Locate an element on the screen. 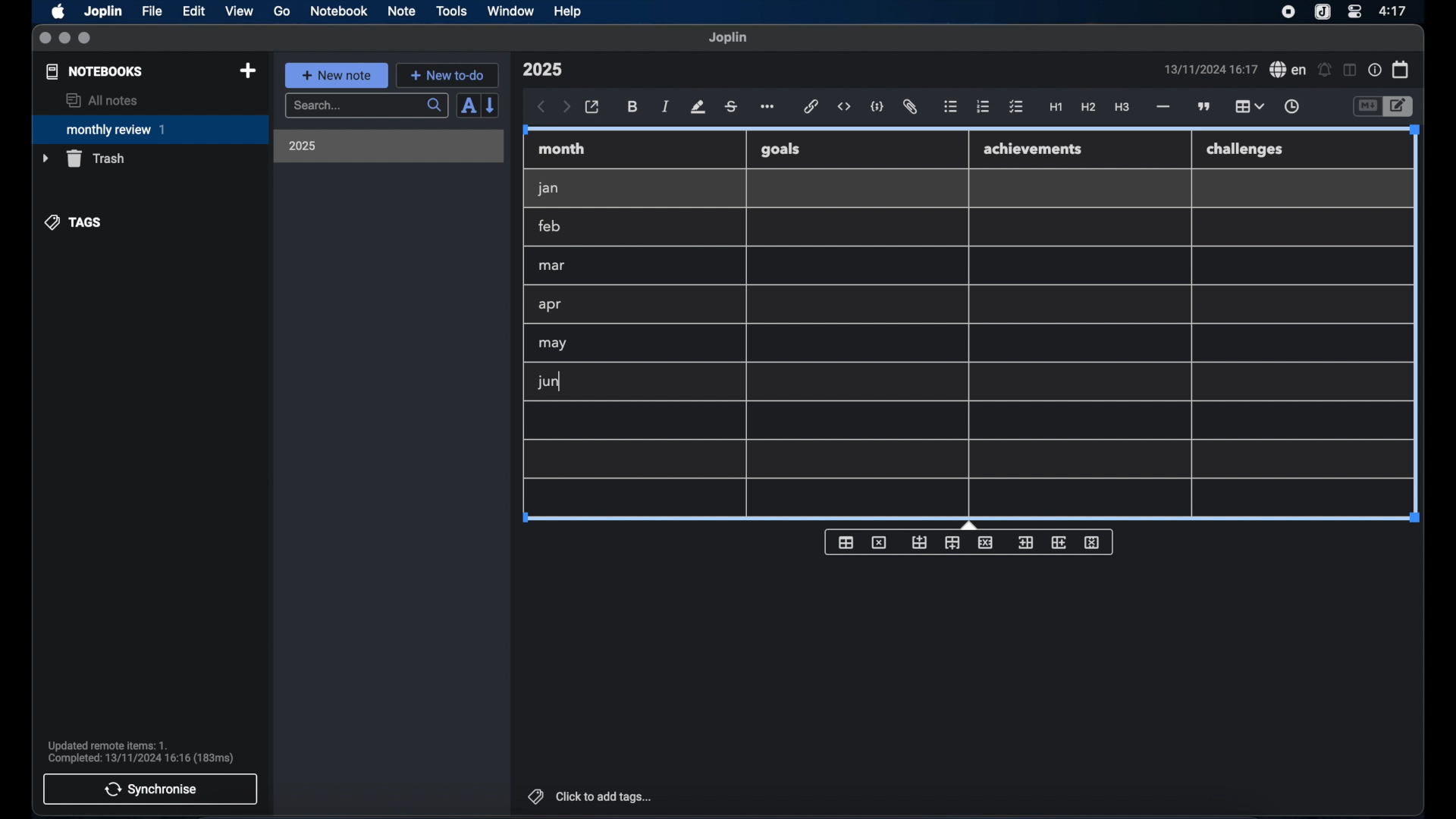  toggle editor is located at coordinates (1367, 107).